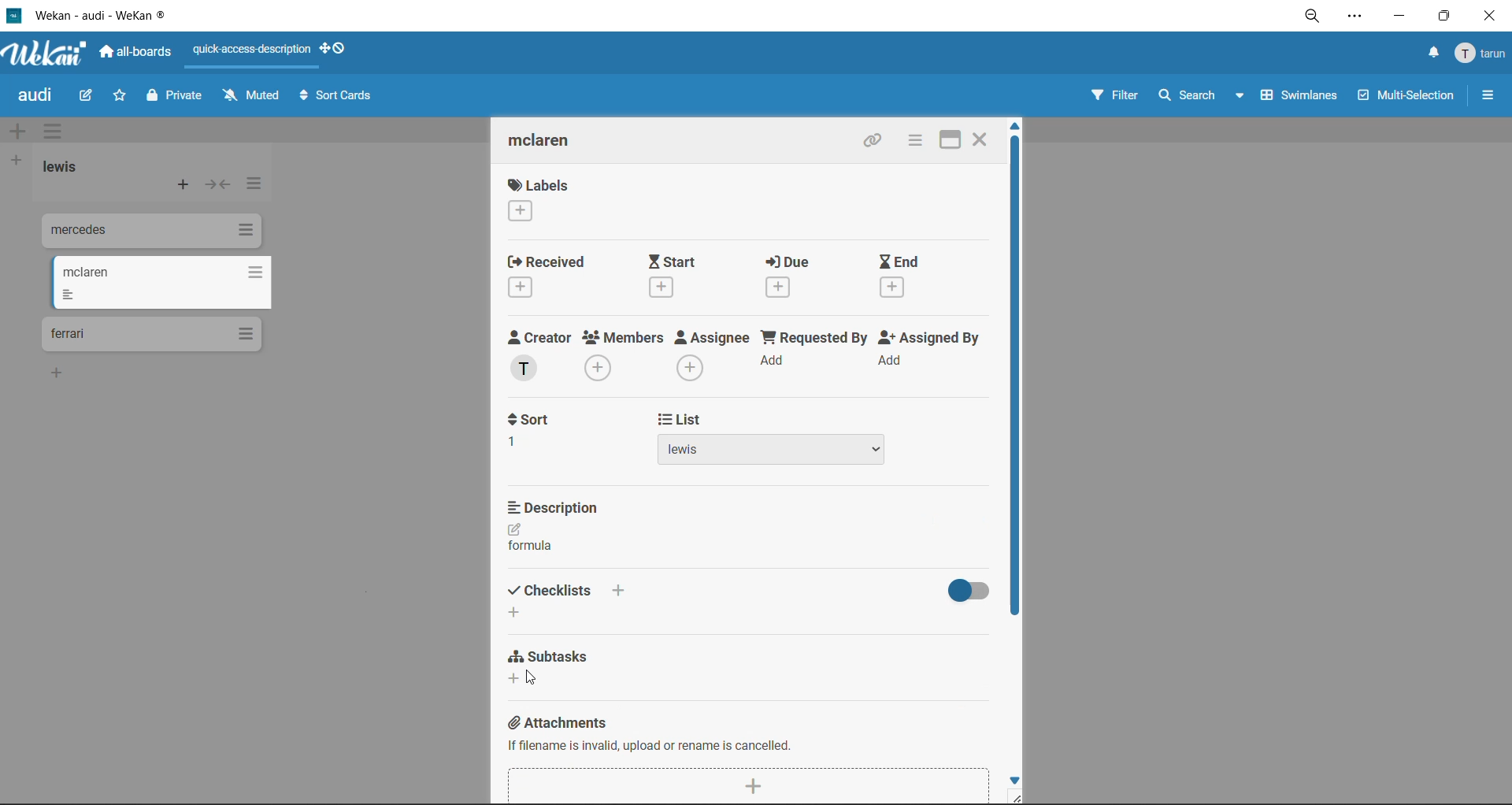  I want to click on swimlanes, so click(1294, 99).